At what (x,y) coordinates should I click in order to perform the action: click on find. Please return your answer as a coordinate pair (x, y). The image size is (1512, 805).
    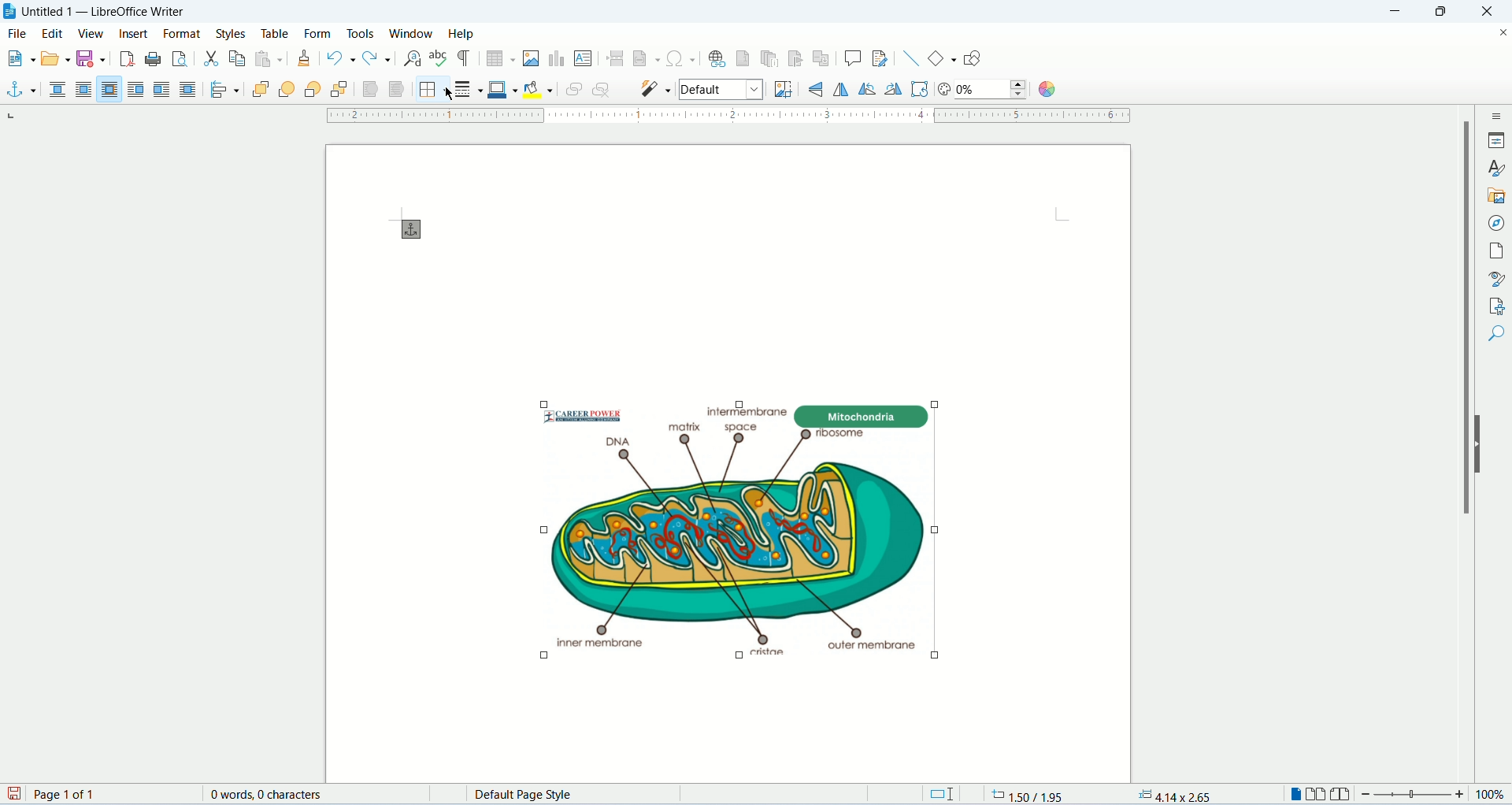
    Looking at the image, I should click on (1496, 362).